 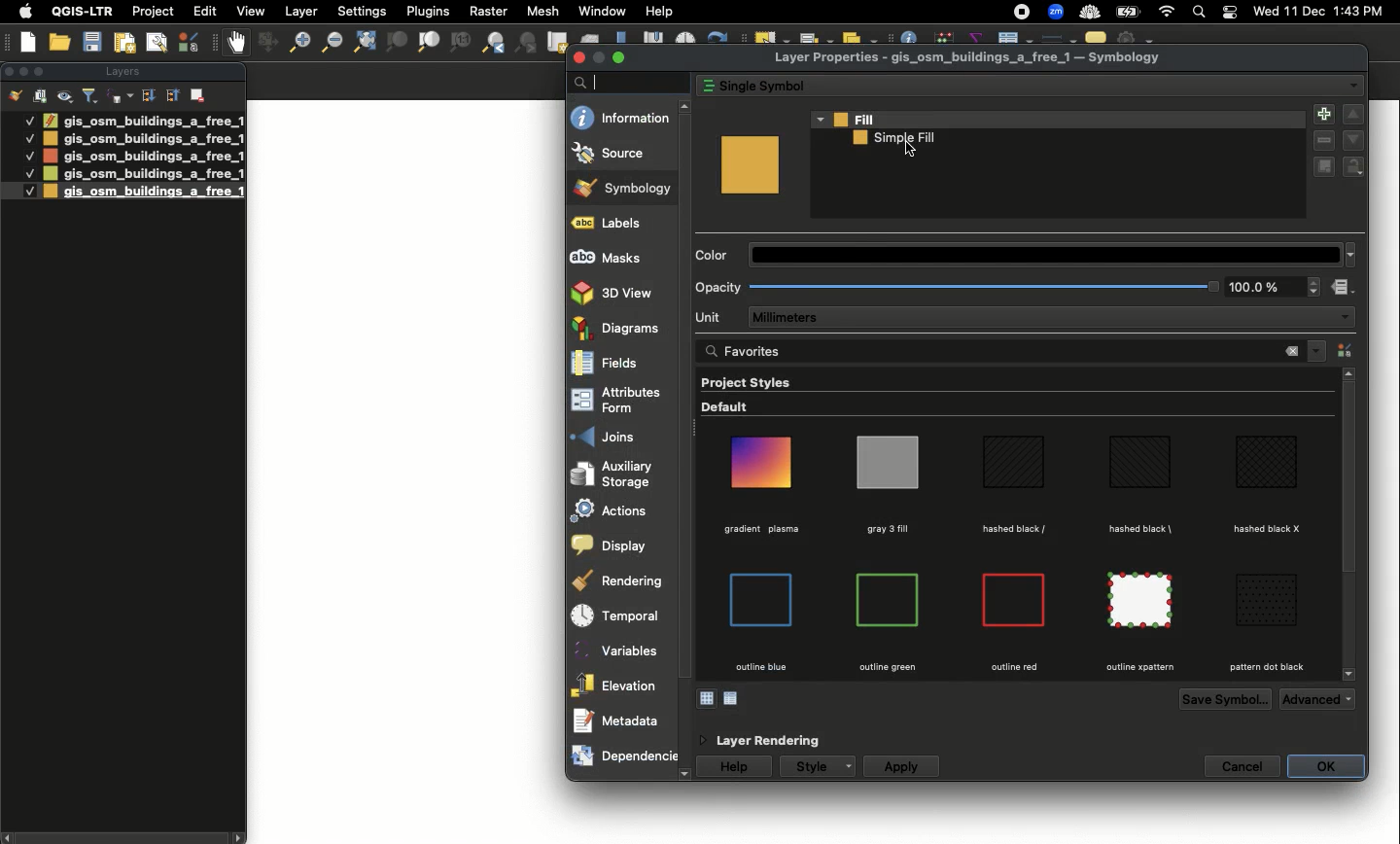 What do you see at coordinates (1342, 286) in the screenshot?
I see `` at bounding box center [1342, 286].